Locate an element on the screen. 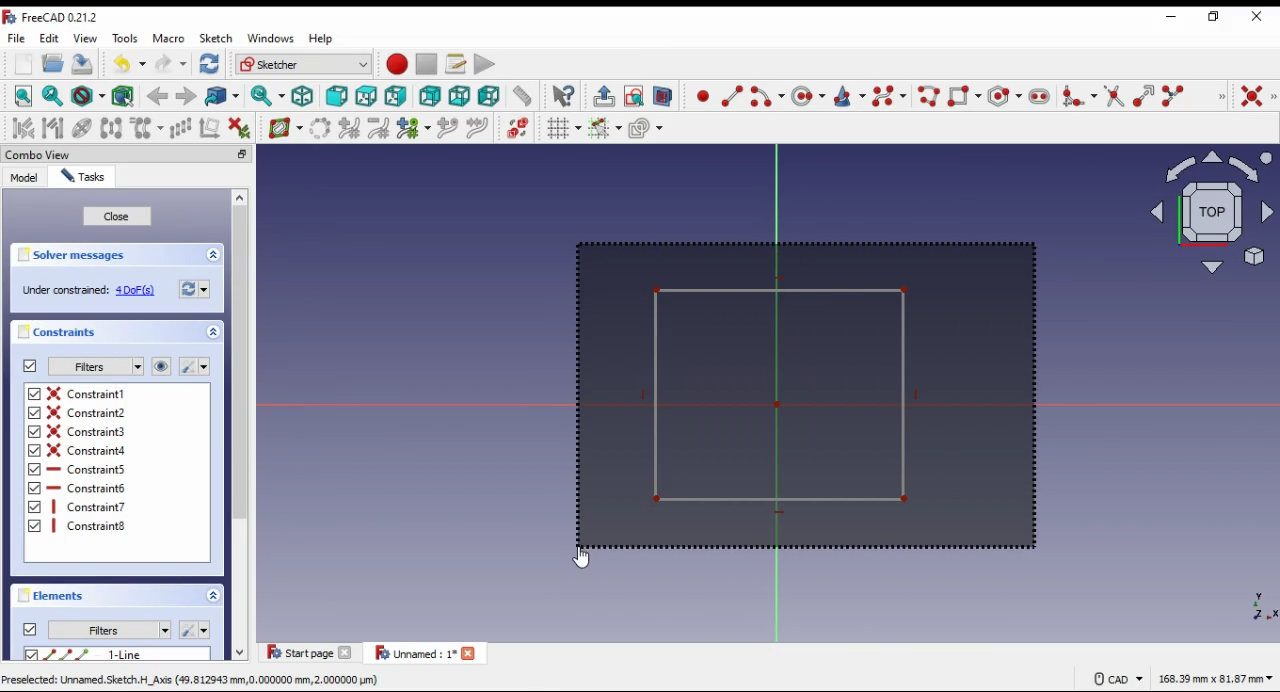 The image size is (1280, 692). minimize is located at coordinates (242, 154).